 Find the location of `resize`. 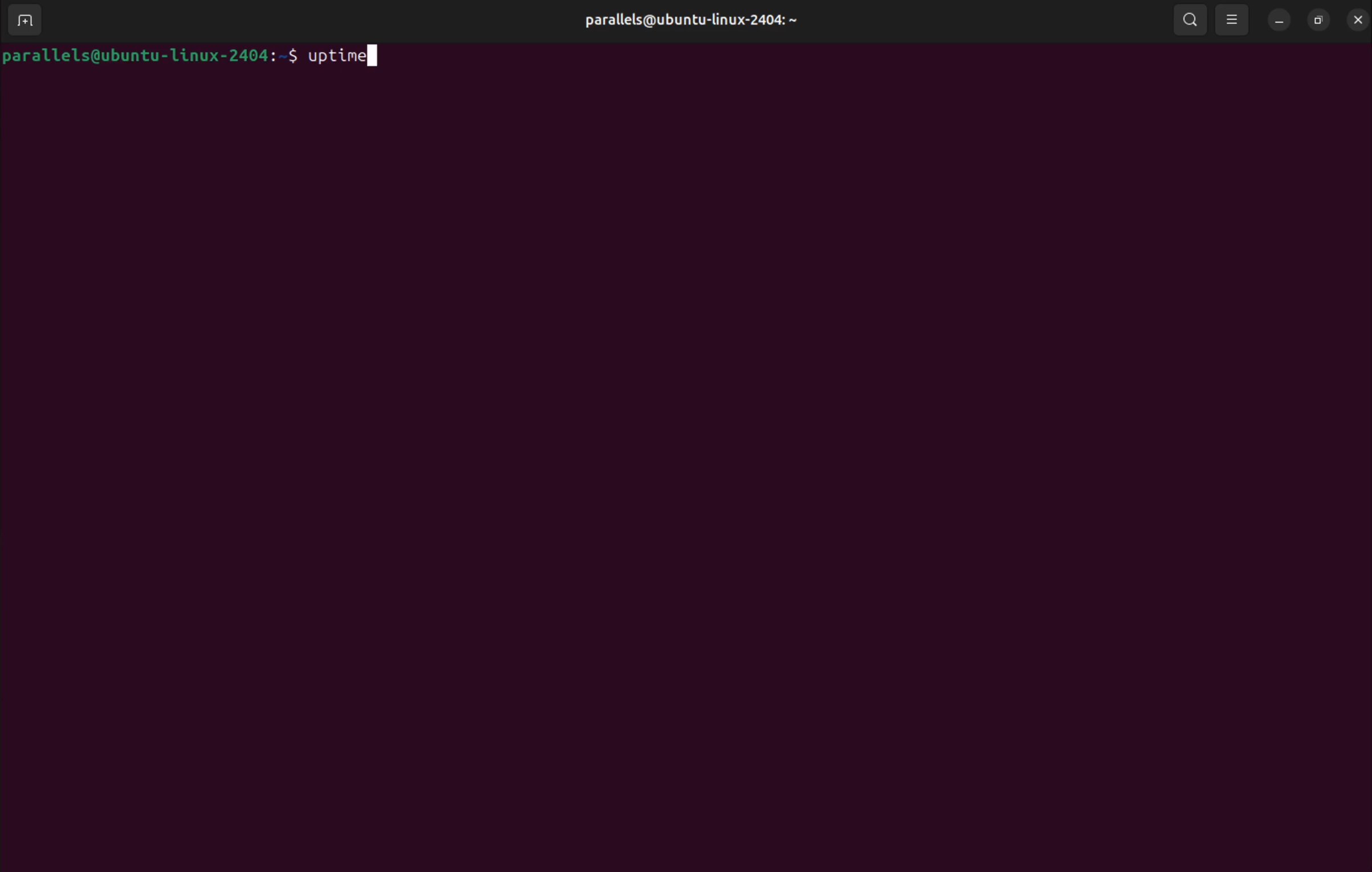

resize is located at coordinates (1317, 21).